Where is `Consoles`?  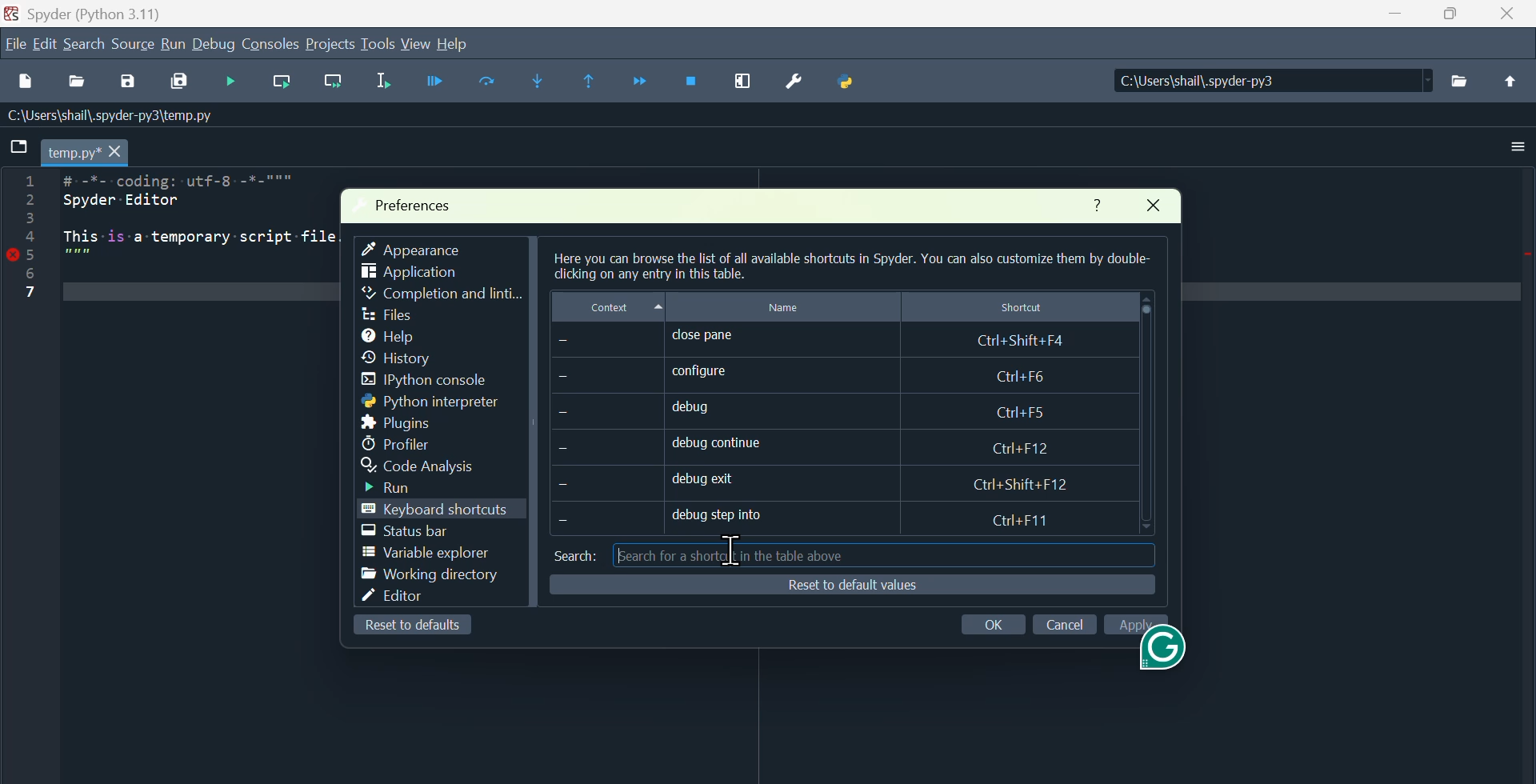 Consoles is located at coordinates (271, 46).